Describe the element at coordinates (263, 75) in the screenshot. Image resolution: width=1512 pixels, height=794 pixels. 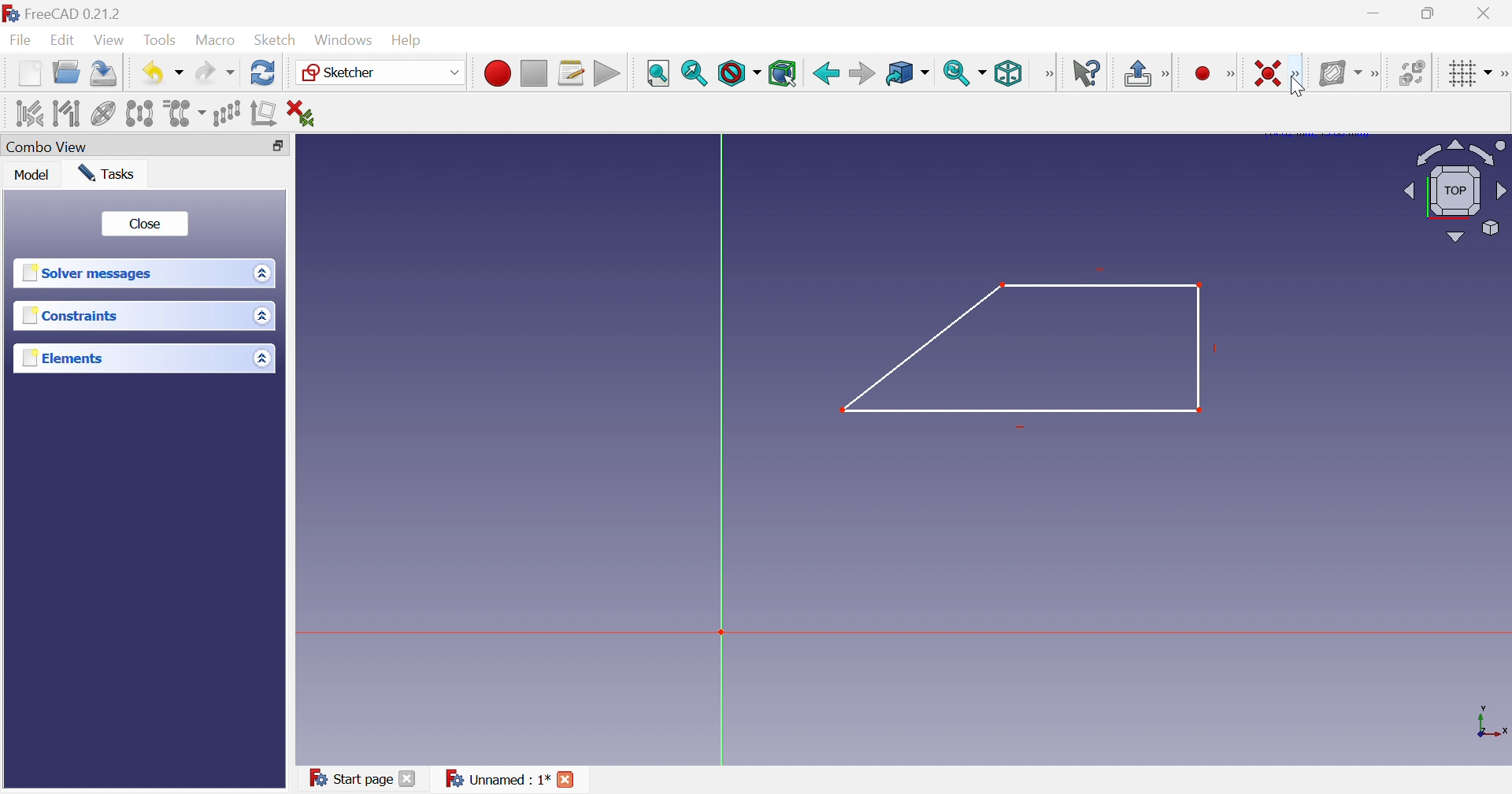
I see `Refresh` at that location.